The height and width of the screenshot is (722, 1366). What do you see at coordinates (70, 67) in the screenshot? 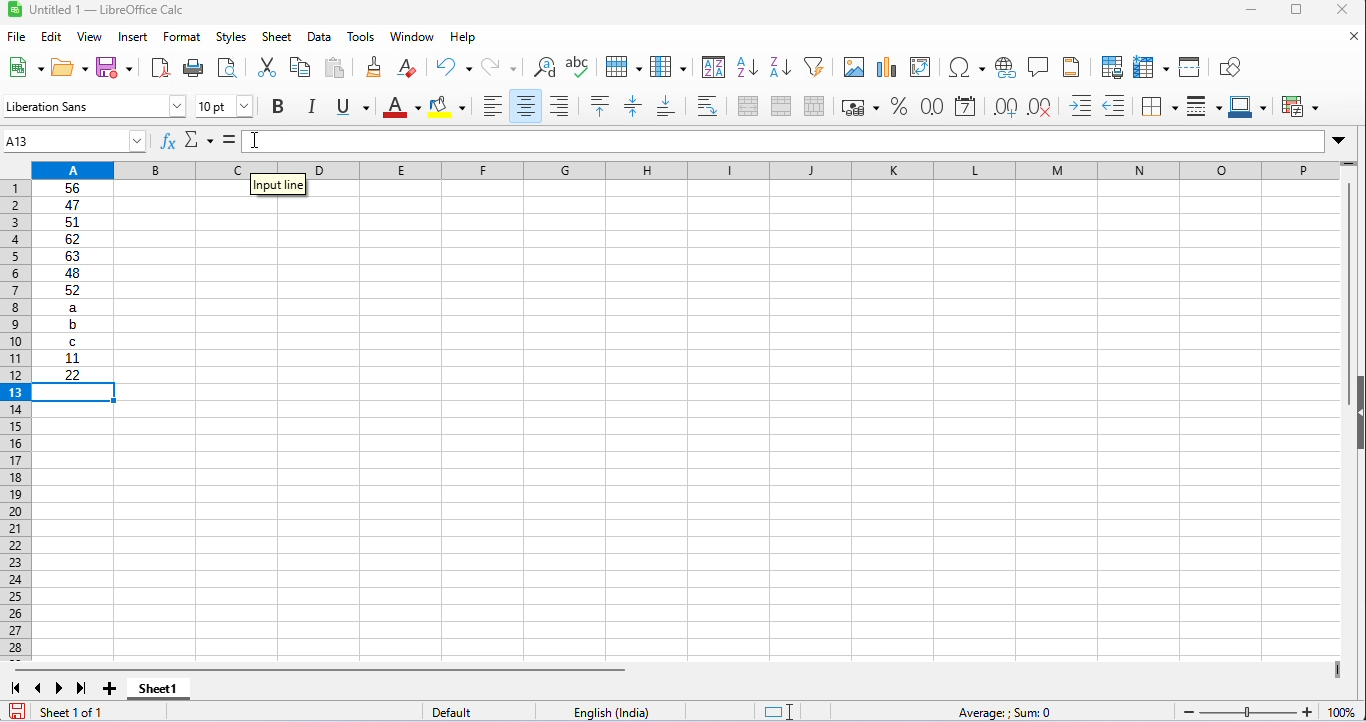
I see `open` at bounding box center [70, 67].